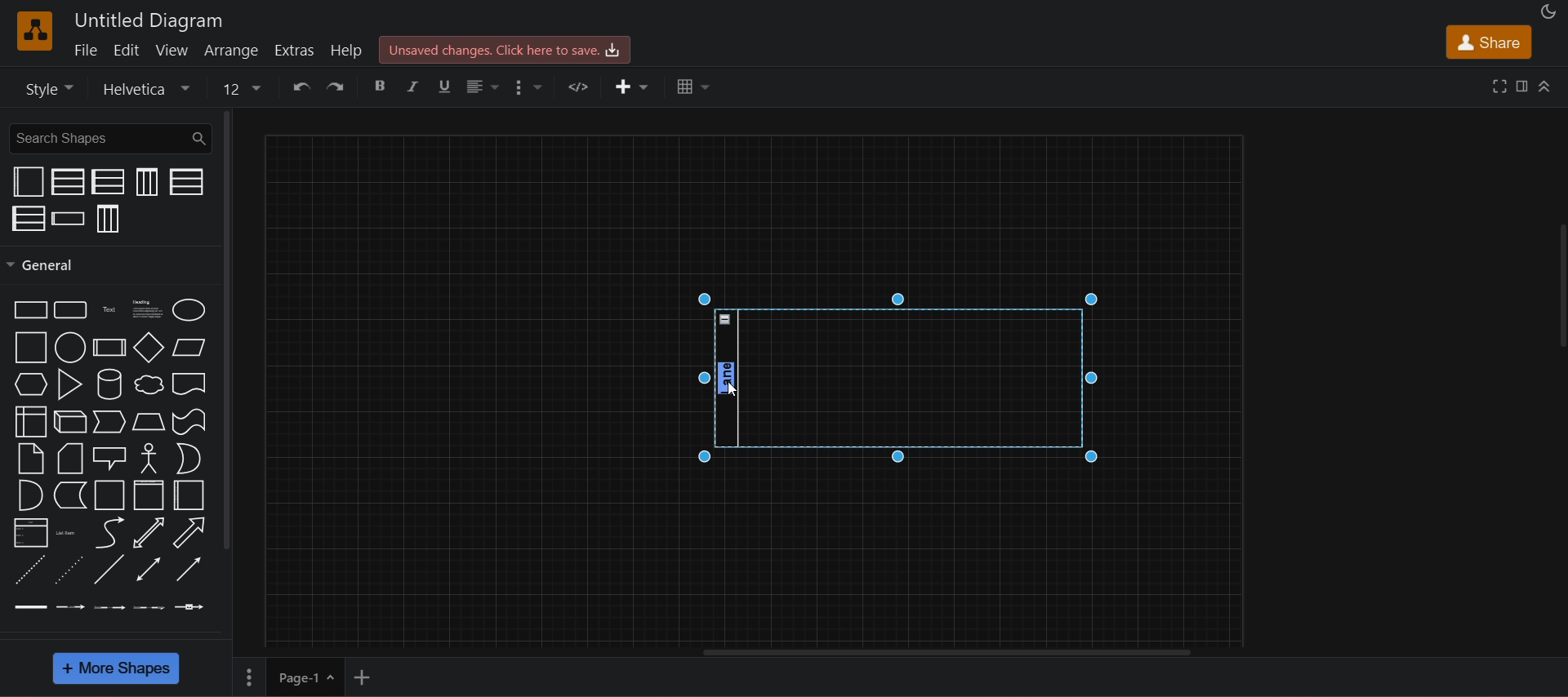 The image size is (1568, 697). What do you see at coordinates (172, 48) in the screenshot?
I see `view` at bounding box center [172, 48].